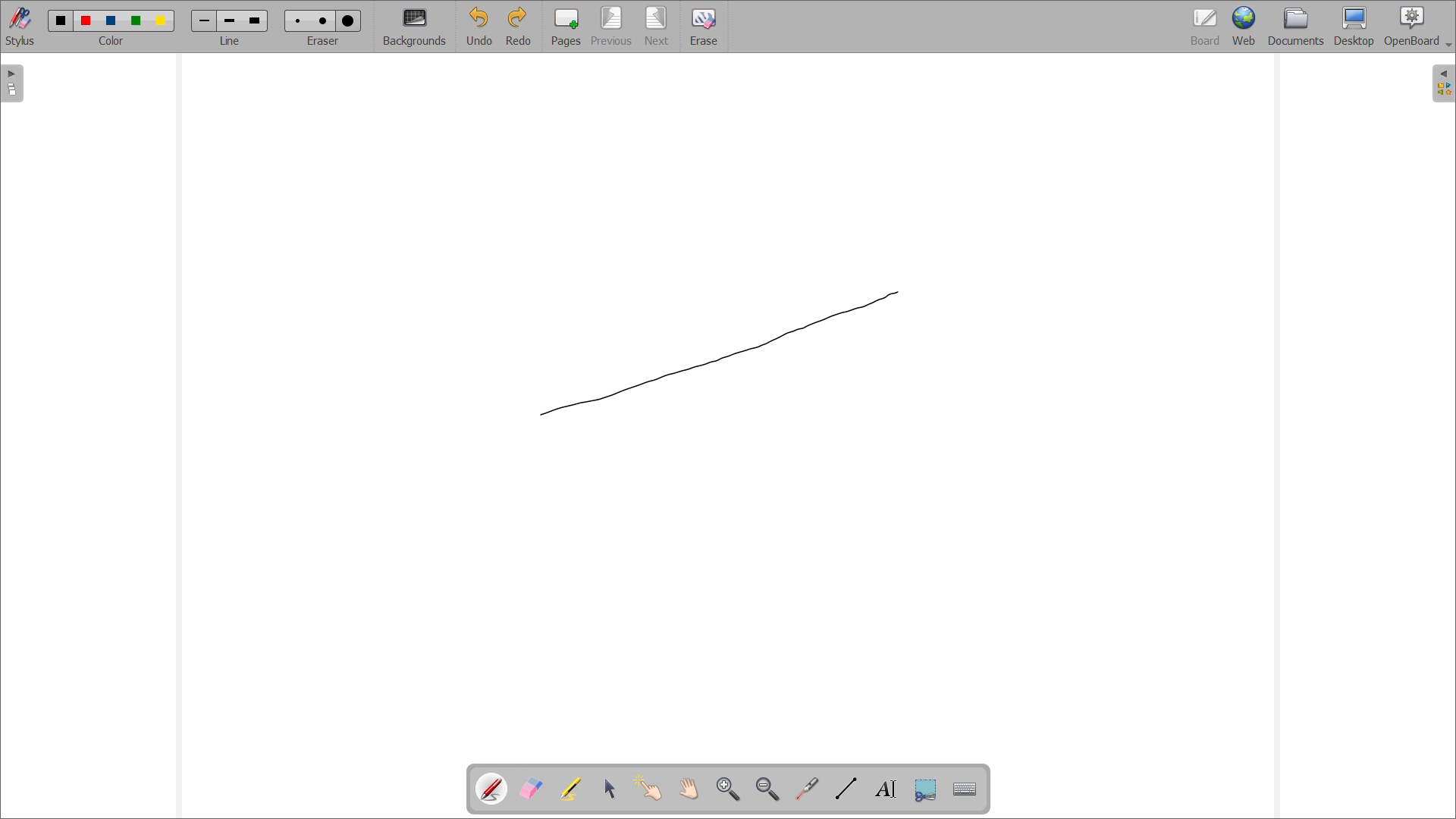  What do you see at coordinates (729, 789) in the screenshot?
I see `zoom in` at bounding box center [729, 789].